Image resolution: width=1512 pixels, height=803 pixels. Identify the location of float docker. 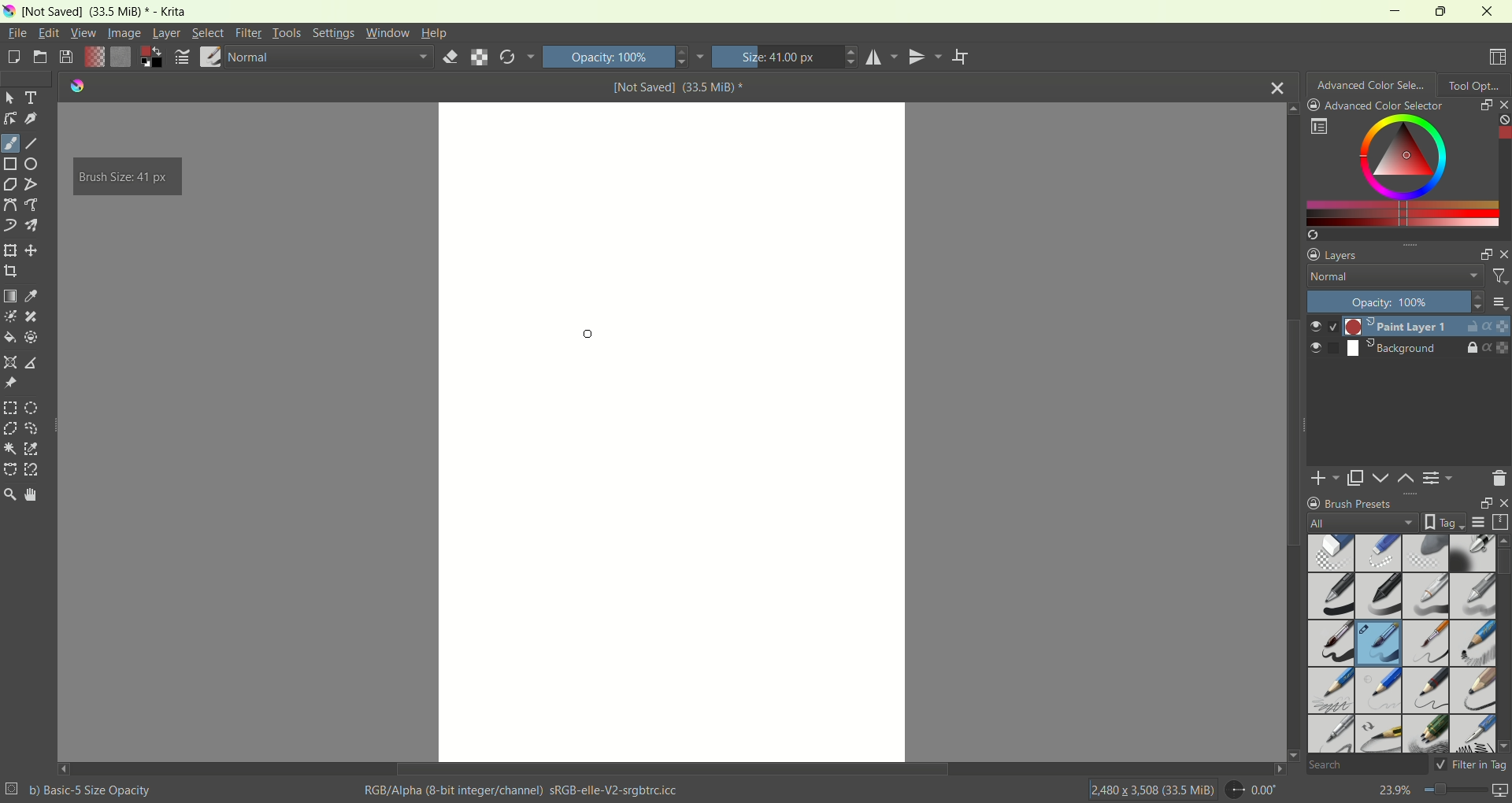
(1484, 255).